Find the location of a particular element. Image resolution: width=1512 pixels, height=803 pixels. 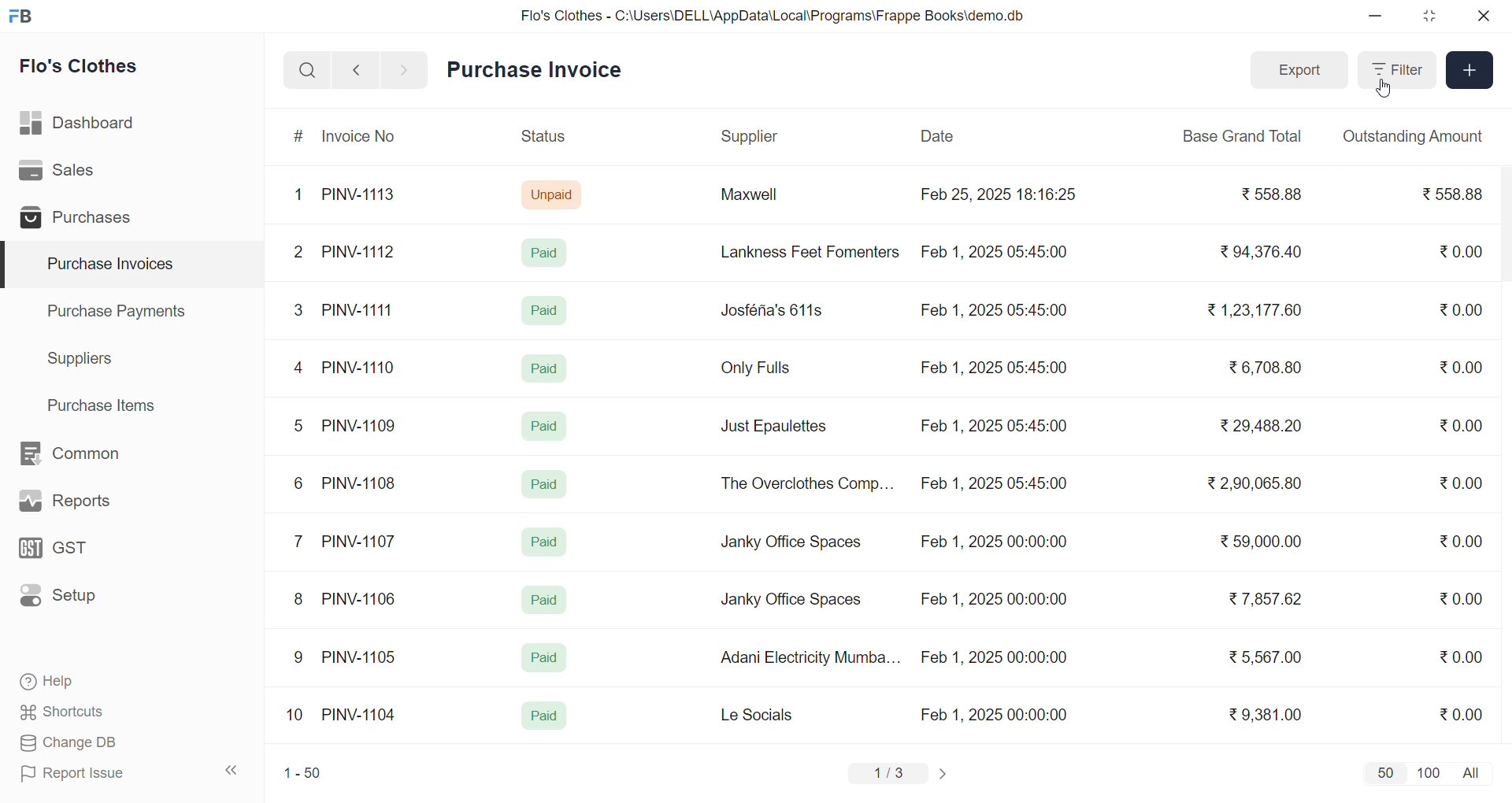

minimize is located at coordinates (1377, 17).